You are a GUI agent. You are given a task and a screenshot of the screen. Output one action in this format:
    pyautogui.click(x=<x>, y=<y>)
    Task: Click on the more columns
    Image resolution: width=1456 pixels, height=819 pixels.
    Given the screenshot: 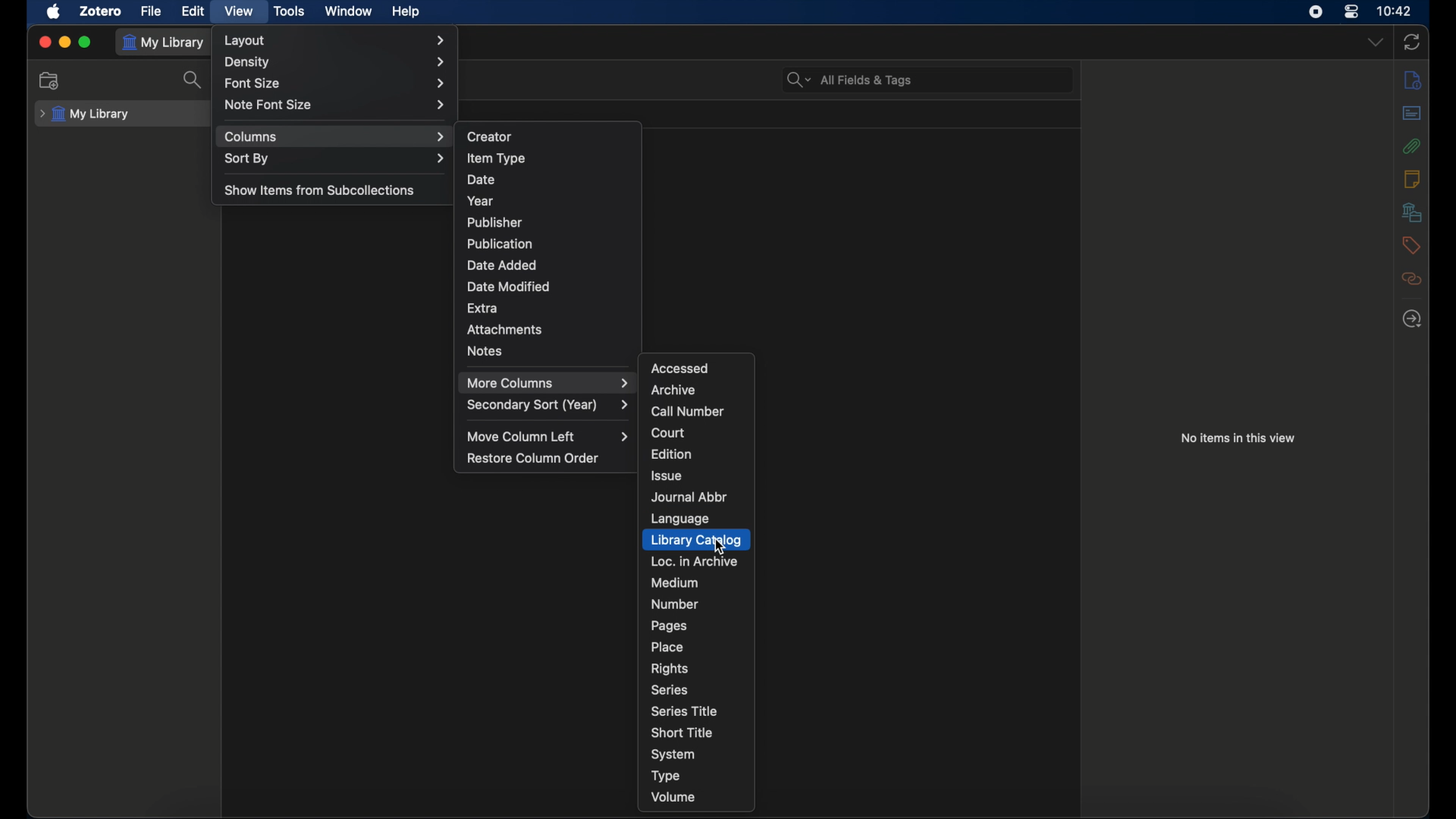 What is the action you would take?
    pyautogui.click(x=548, y=383)
    